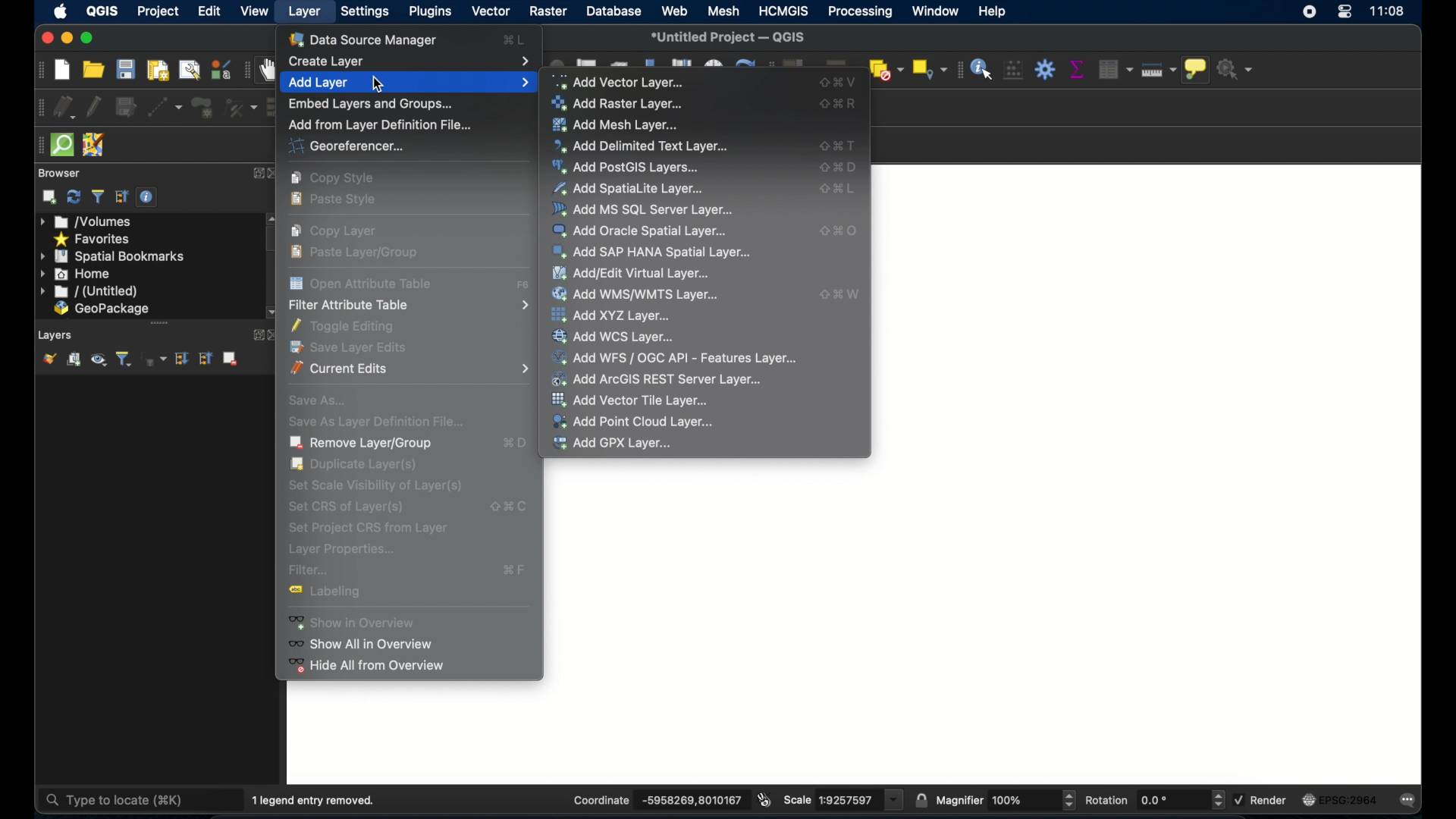 The width and height of the screenshot is (1456, 819). What do you see at coordinates (271, 218) in the screenshot?
I see `scroll up arrow` at bounding box center [271, 218].